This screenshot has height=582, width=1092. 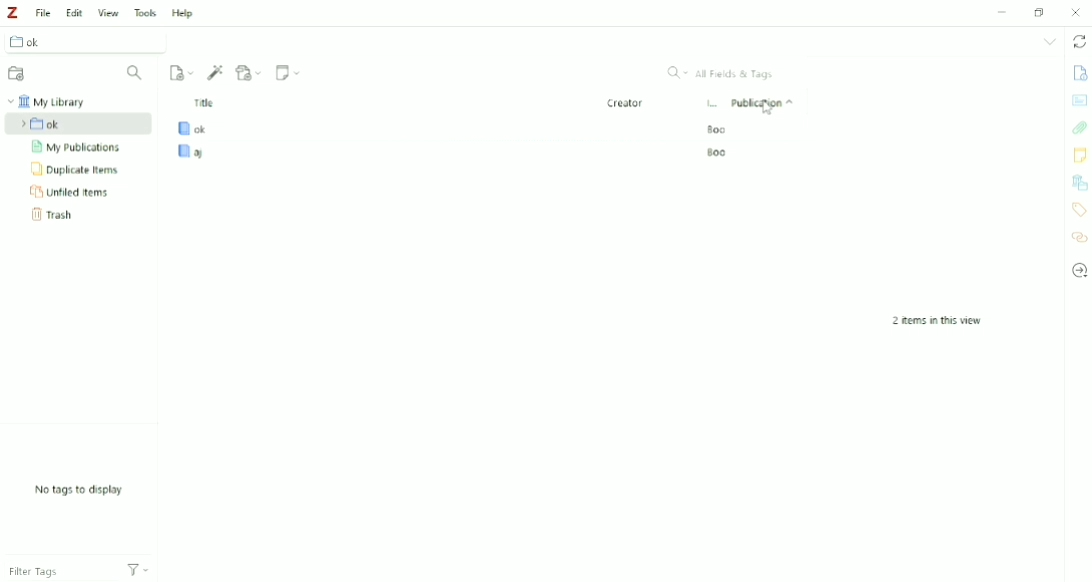 I want to click on Sync, so click(x=1079, y=42).